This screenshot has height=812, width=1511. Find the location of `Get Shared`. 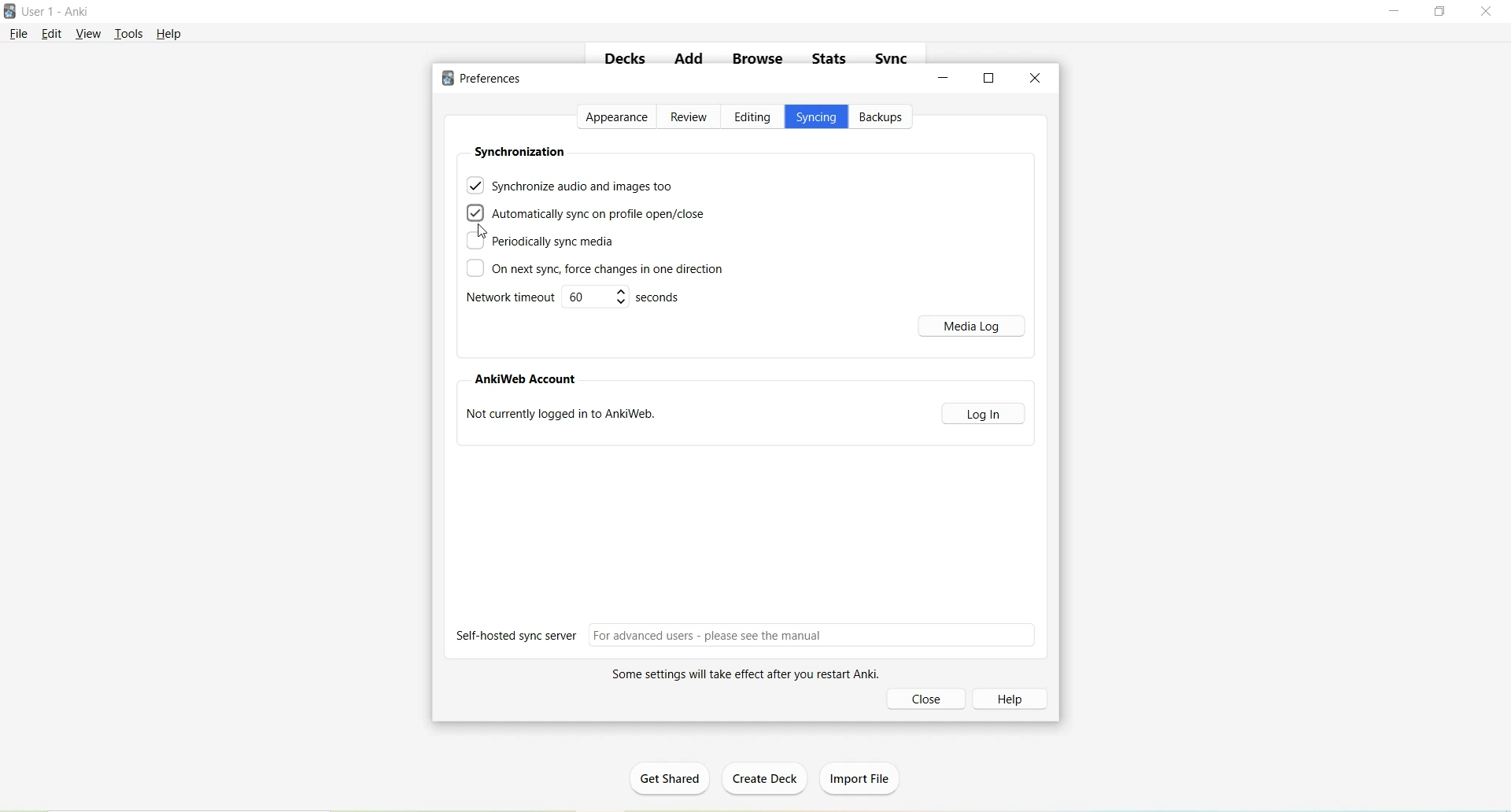

Get Shared is located at coordinates (676, 781).